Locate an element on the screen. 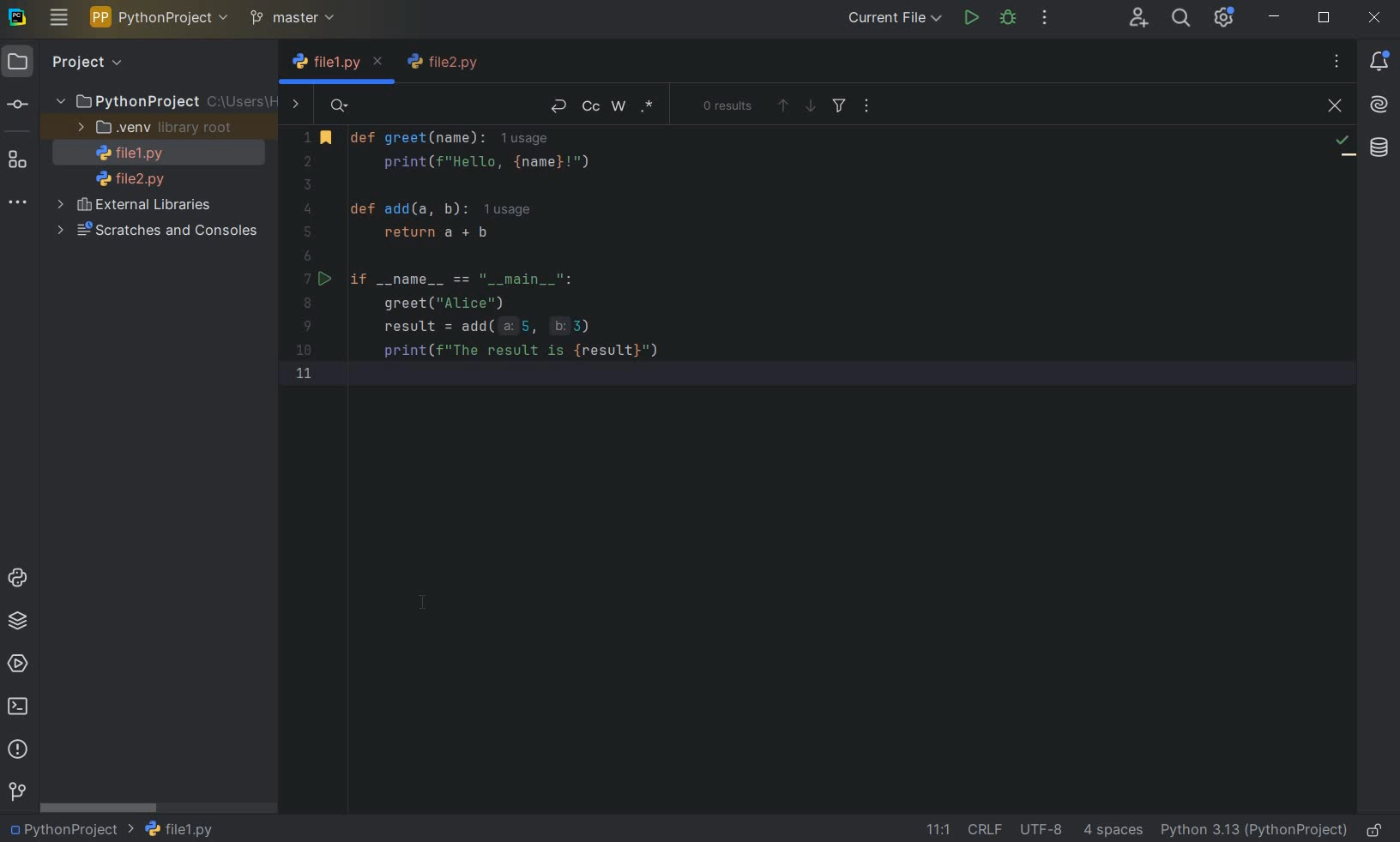 Image resolution: width=1400 pixels, height=842 pixels. Code to greet user by name is located at coordinates (766, 256).